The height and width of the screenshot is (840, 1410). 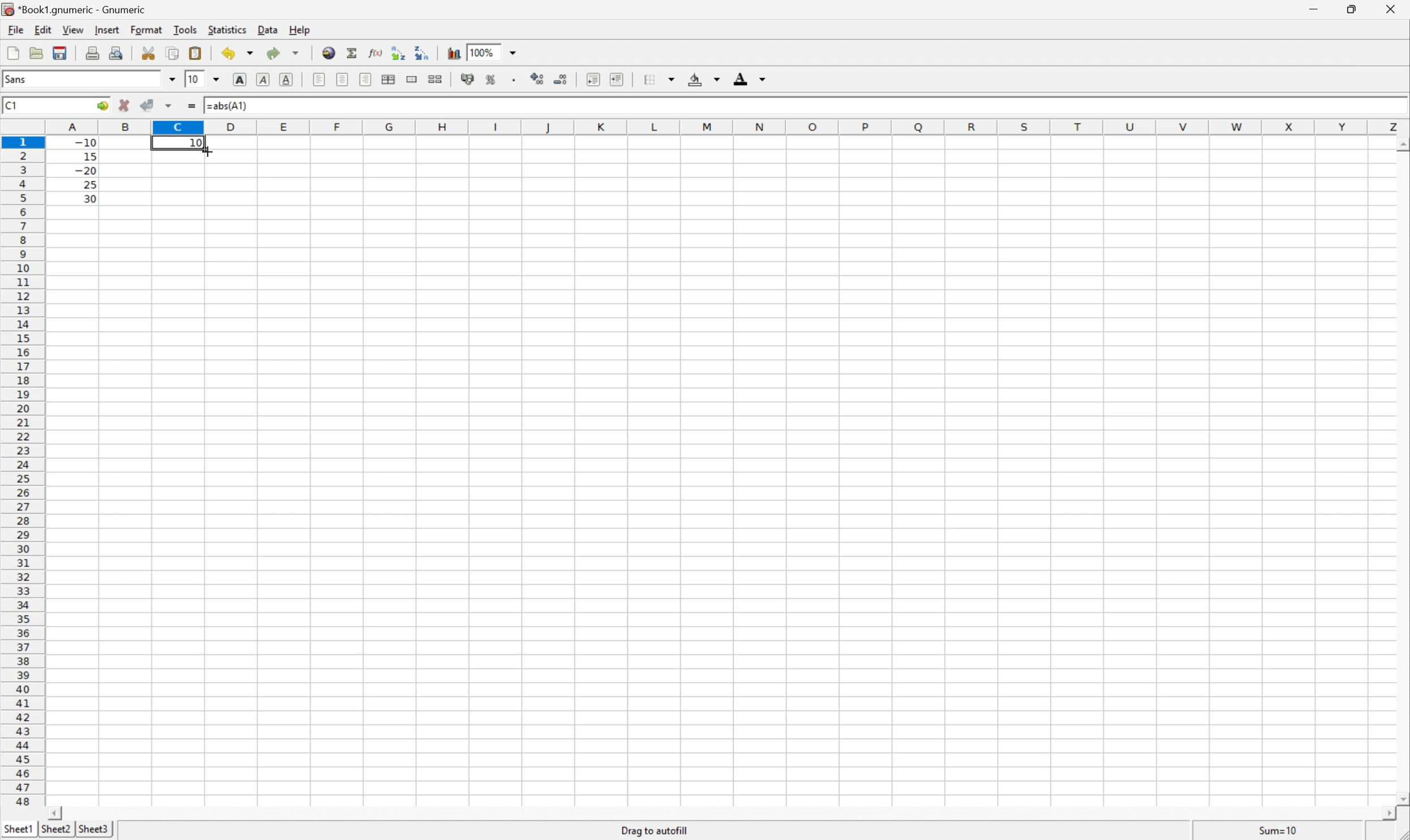 I want to click on Accept change in multiple cells, so click(x=171, y=106).